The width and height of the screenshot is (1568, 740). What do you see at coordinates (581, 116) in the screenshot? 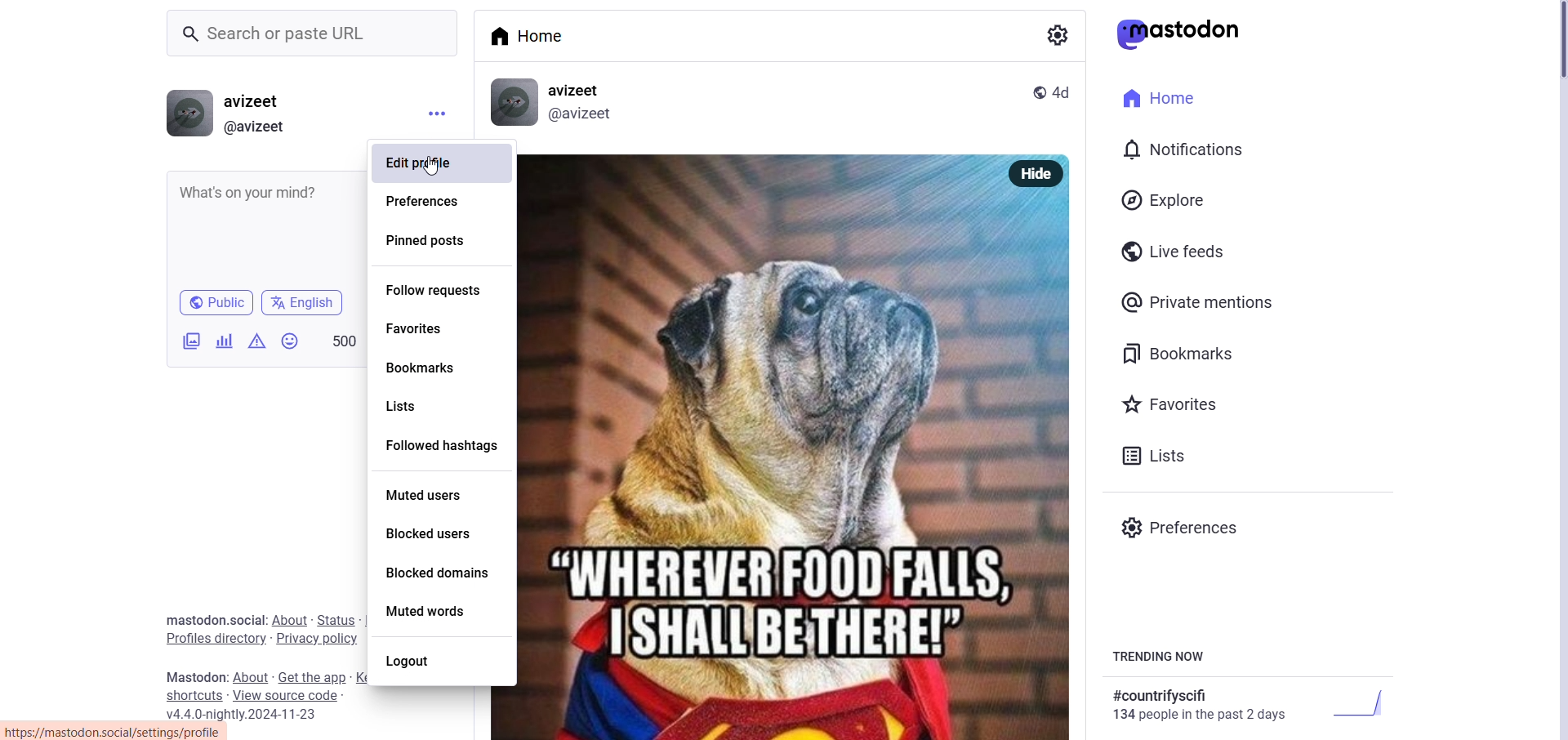
I see `id` at bounding box center [581, 116].